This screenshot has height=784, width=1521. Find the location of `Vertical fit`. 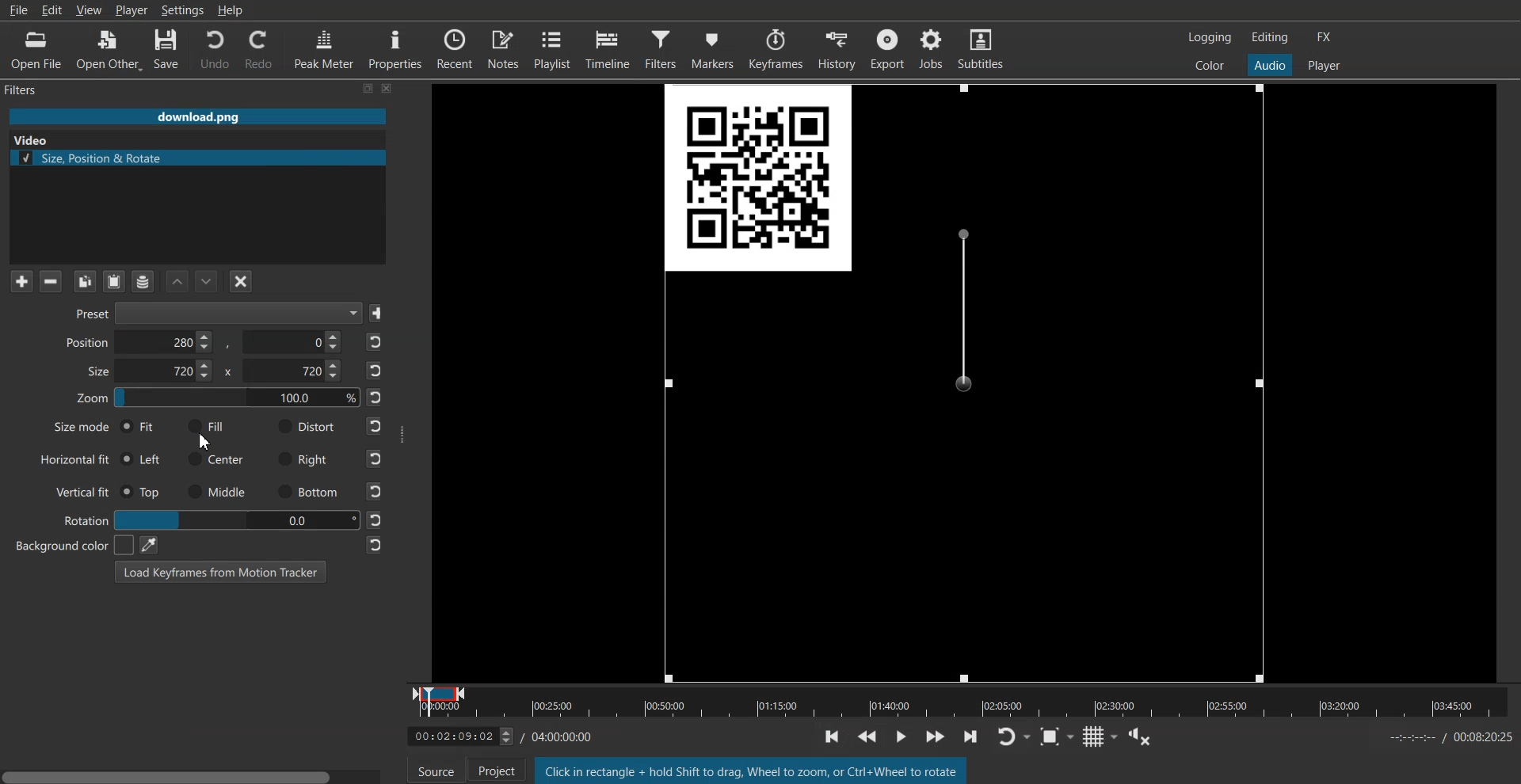

Vertical fit is located at coordinates (77, 490).